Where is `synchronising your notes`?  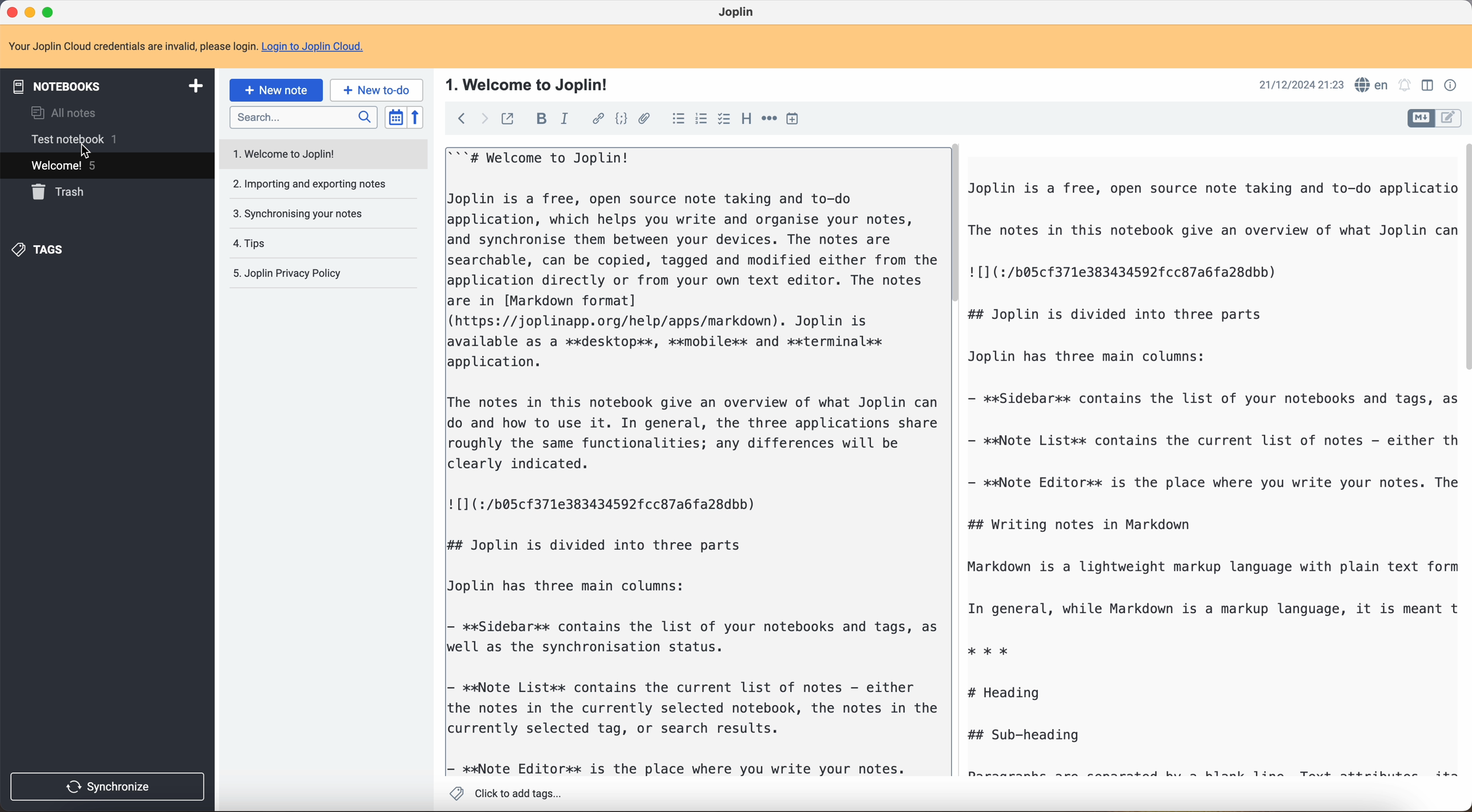 synchronising your notes is located at coordinates (299, 213).